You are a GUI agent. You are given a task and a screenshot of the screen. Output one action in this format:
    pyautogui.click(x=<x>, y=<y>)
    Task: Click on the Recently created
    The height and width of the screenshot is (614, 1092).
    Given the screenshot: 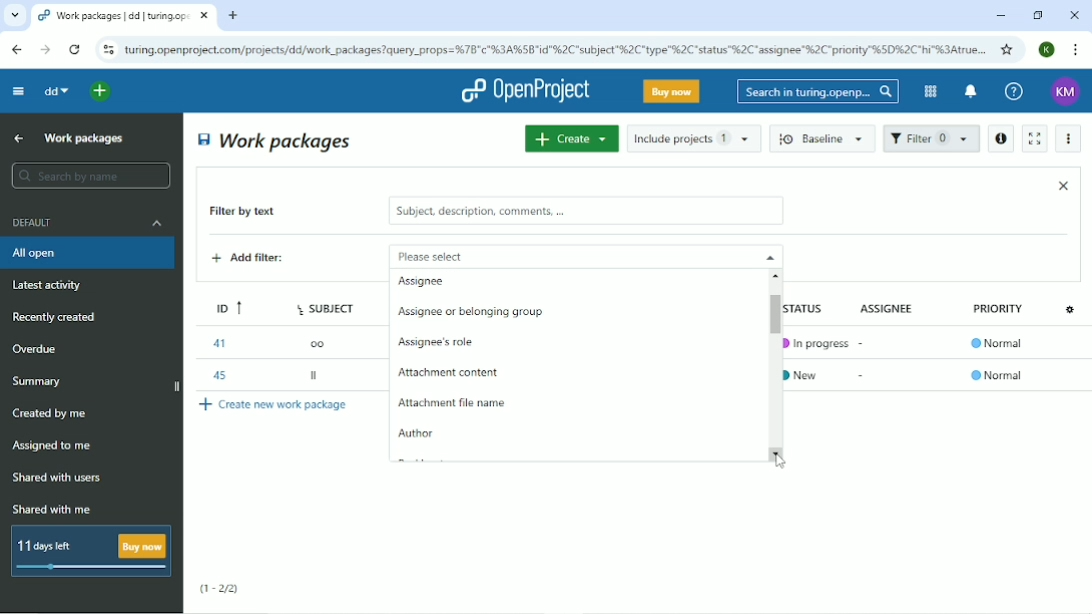 What is the action you would take?
    pyautogui.click(x=58, y=317)
    